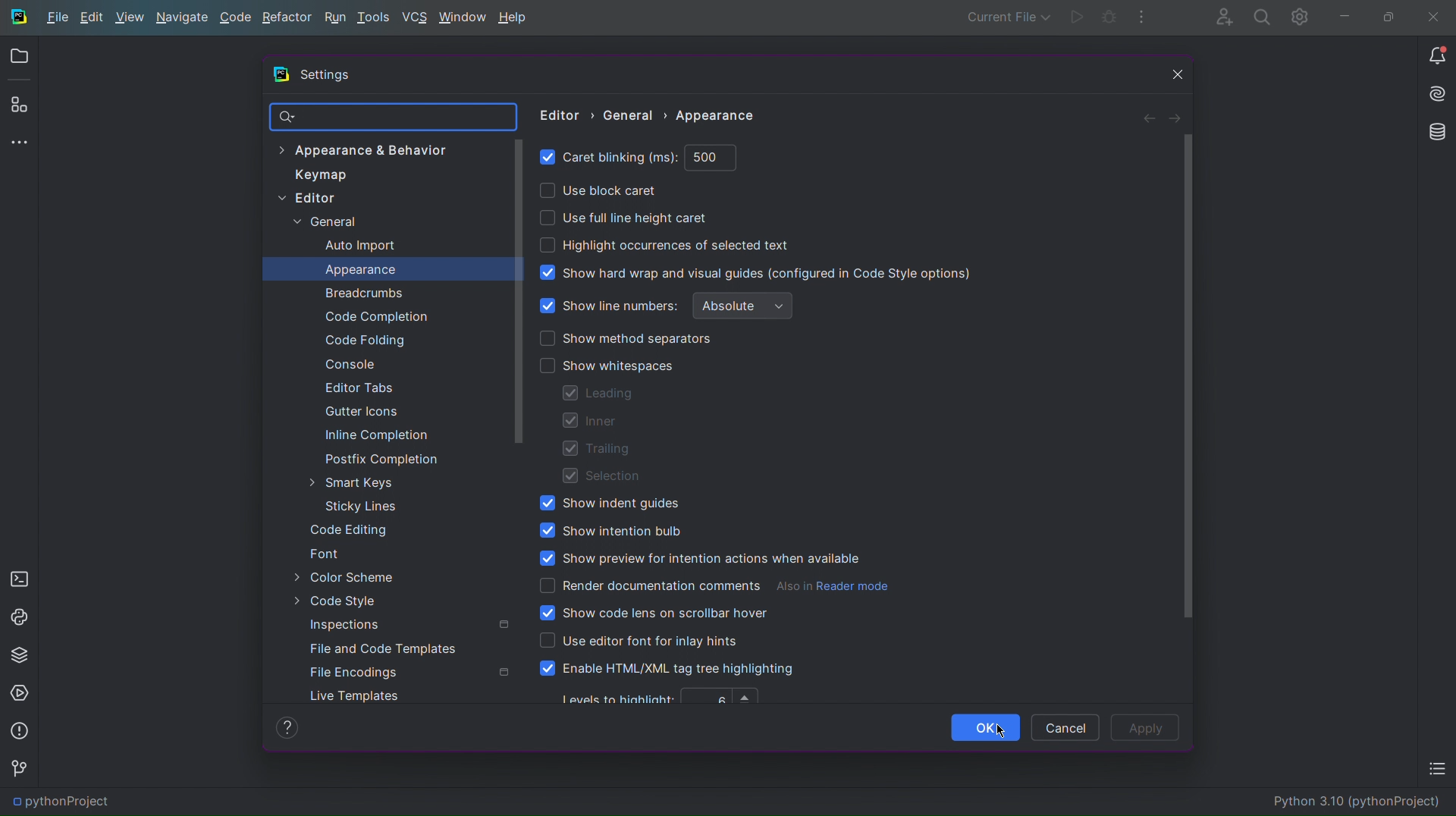 The height and width of the screenshot is (816, 1456). I want to click on Settings, so click(335, 74).